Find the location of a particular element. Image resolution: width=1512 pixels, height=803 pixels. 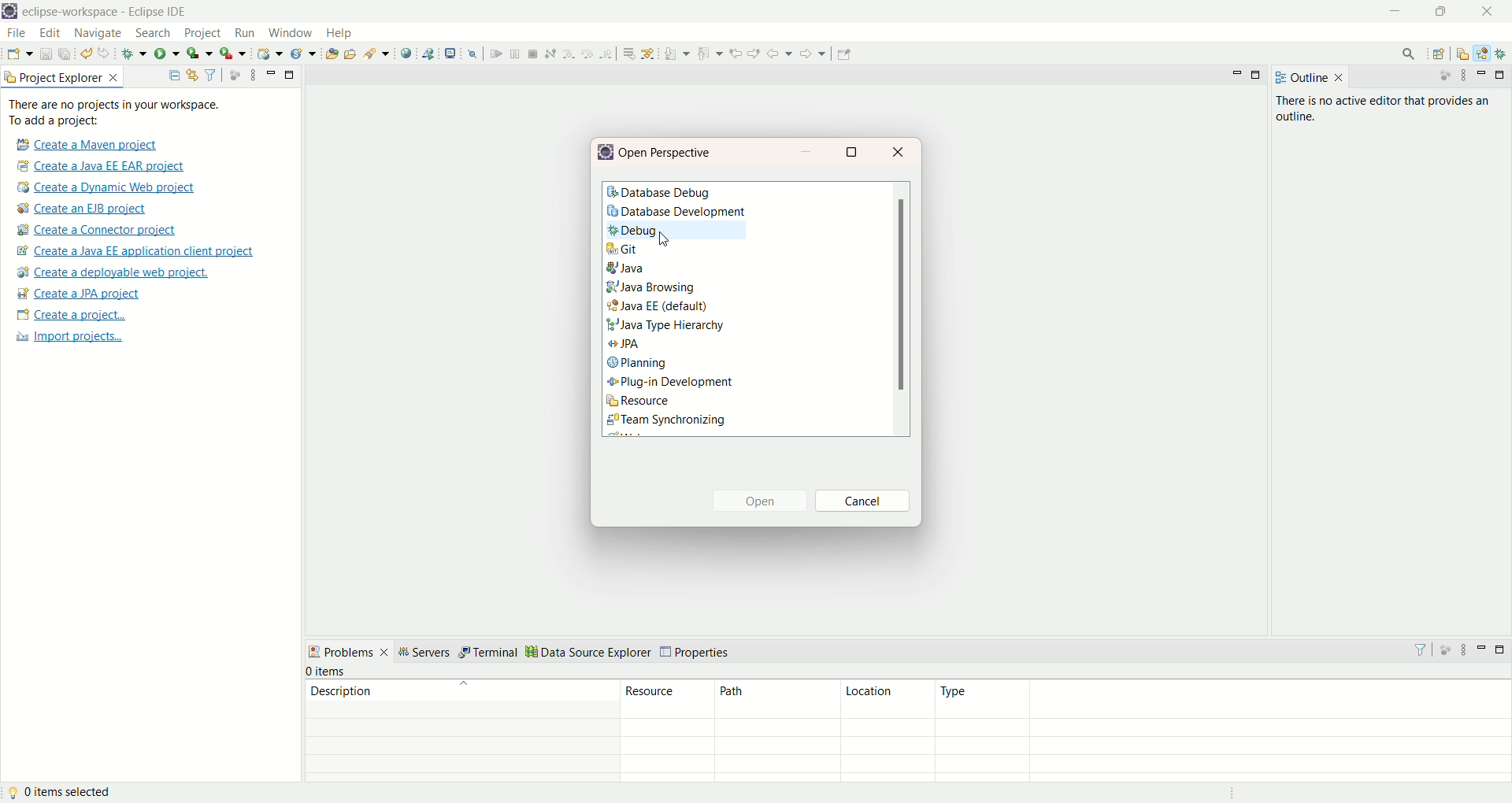

save all is located at coordinates (65, 54).